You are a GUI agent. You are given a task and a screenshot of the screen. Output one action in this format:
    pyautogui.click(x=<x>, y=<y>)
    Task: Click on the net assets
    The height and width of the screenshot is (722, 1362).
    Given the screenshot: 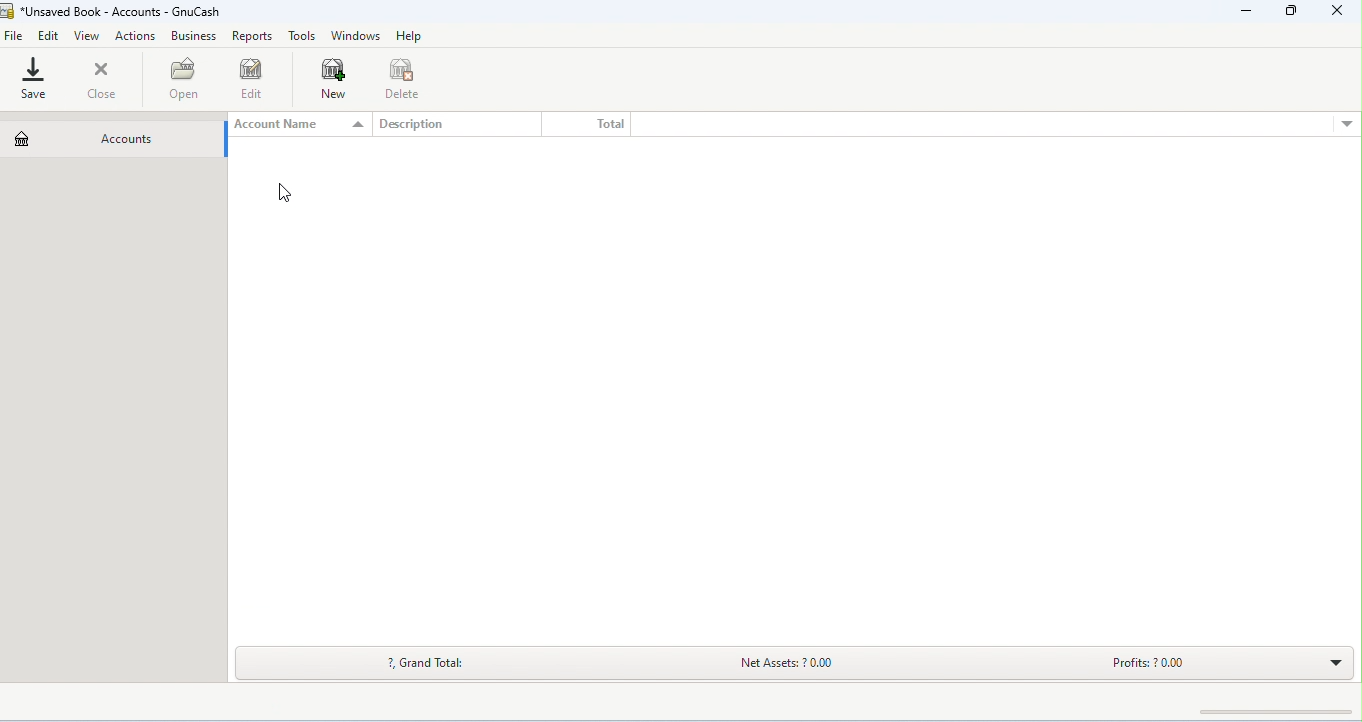 What is the action you would take?
    pyautogui.click(x=812, y=664)
    